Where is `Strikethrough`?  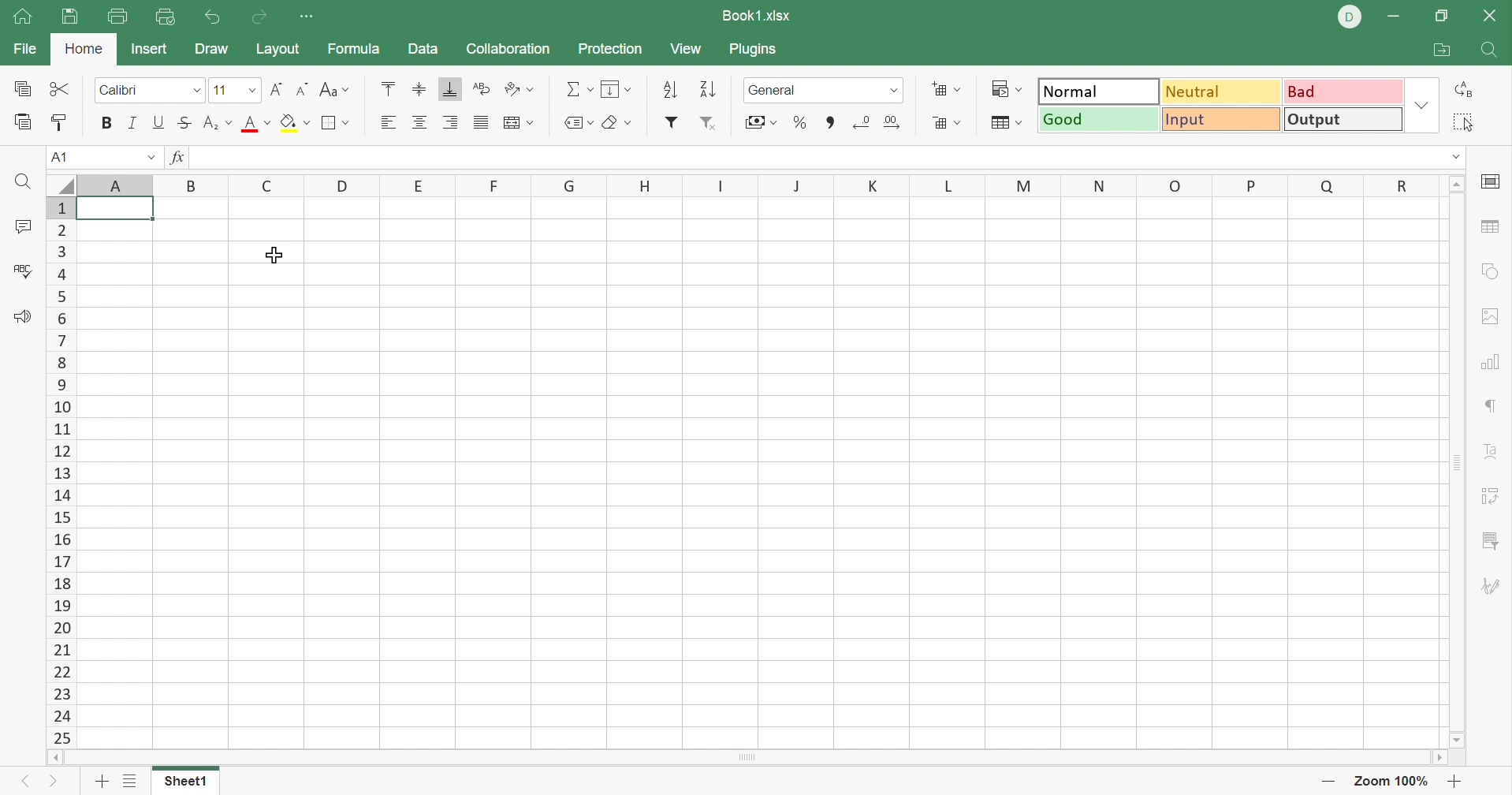 Strikethrough is located at coordinates (184, 124).